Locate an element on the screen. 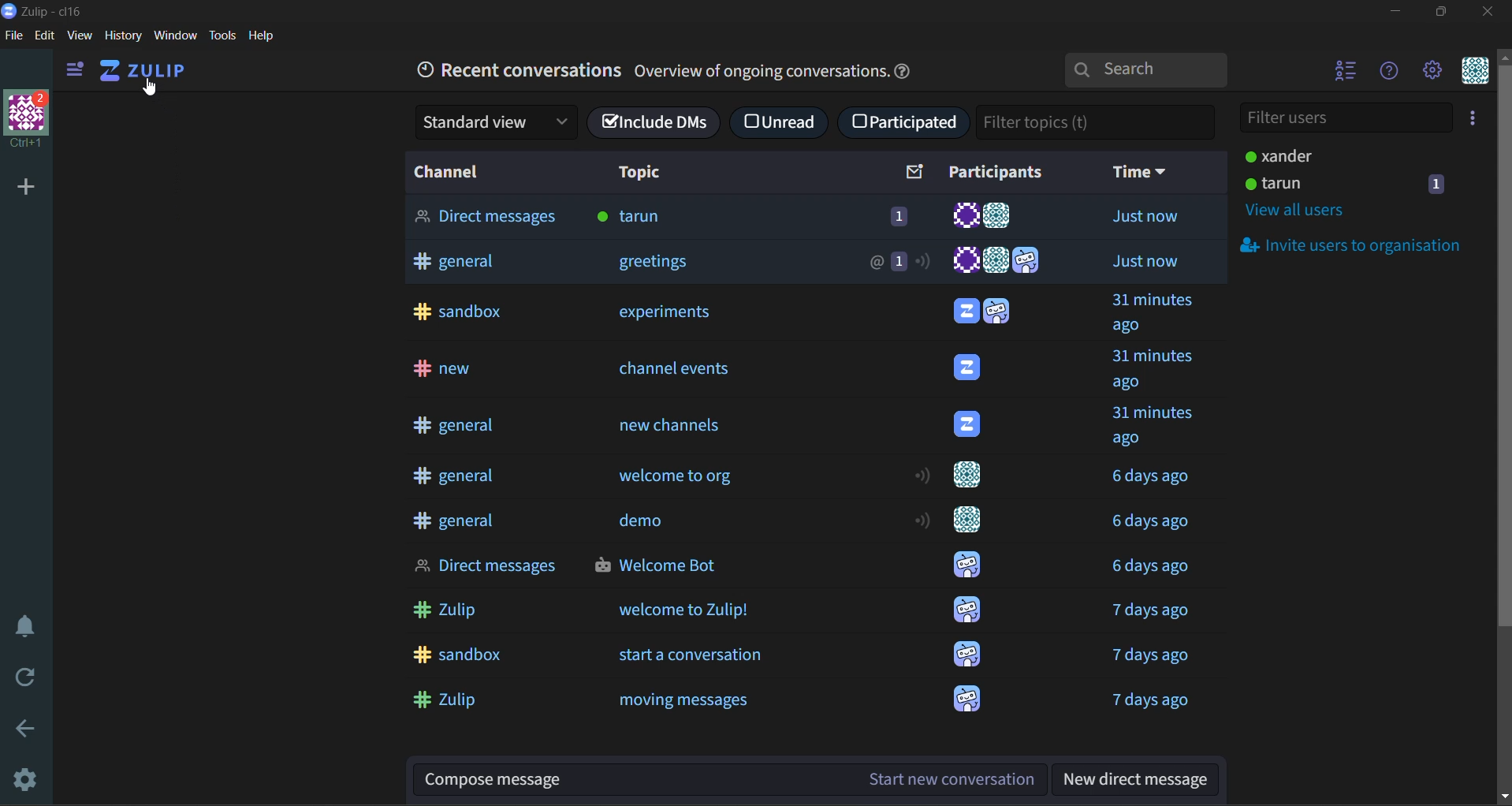 The width and height of the screenshot is (1512, 806). Welcome Bot is located at coordinates (682, 564).